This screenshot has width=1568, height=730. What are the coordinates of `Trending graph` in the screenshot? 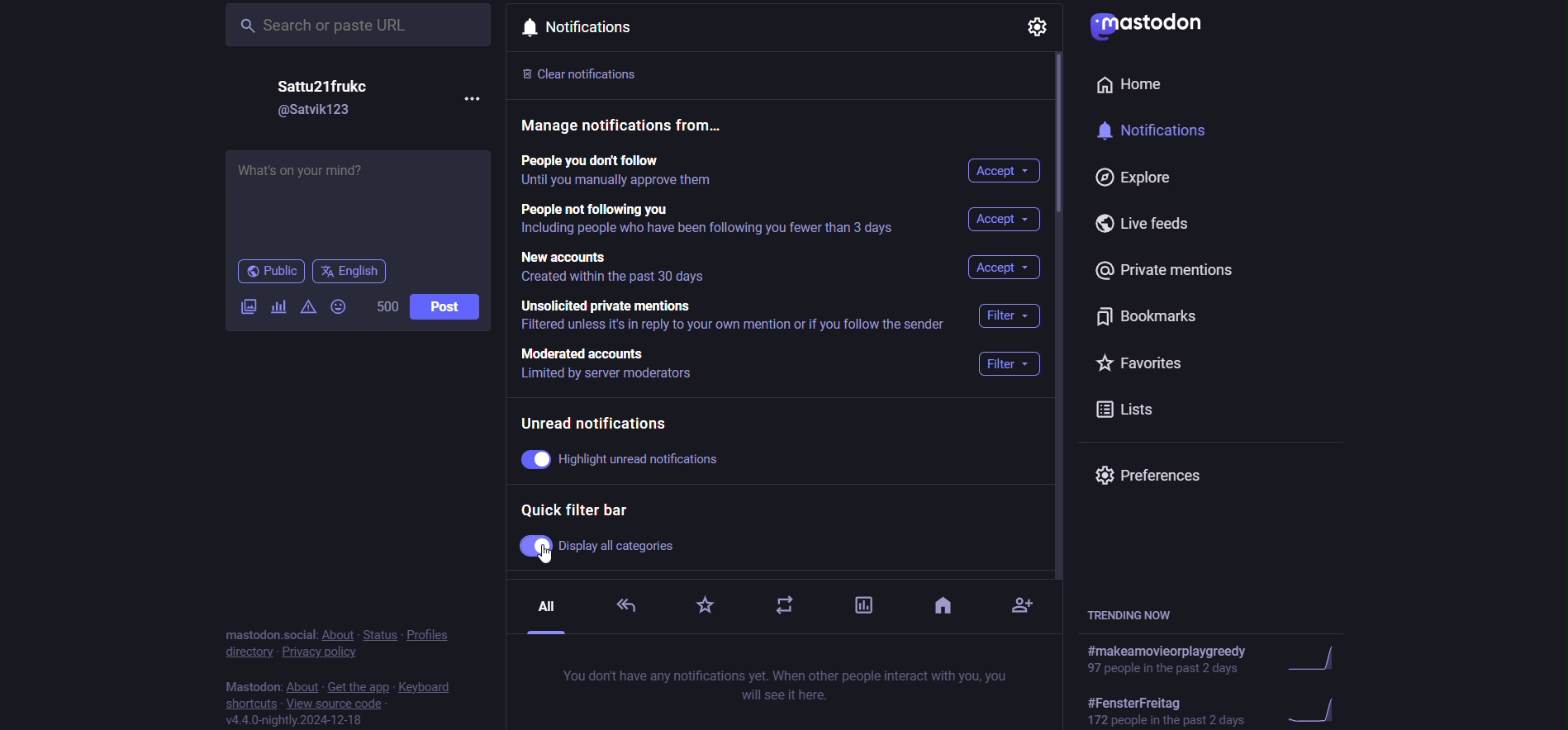 It's located at (1318, 658).